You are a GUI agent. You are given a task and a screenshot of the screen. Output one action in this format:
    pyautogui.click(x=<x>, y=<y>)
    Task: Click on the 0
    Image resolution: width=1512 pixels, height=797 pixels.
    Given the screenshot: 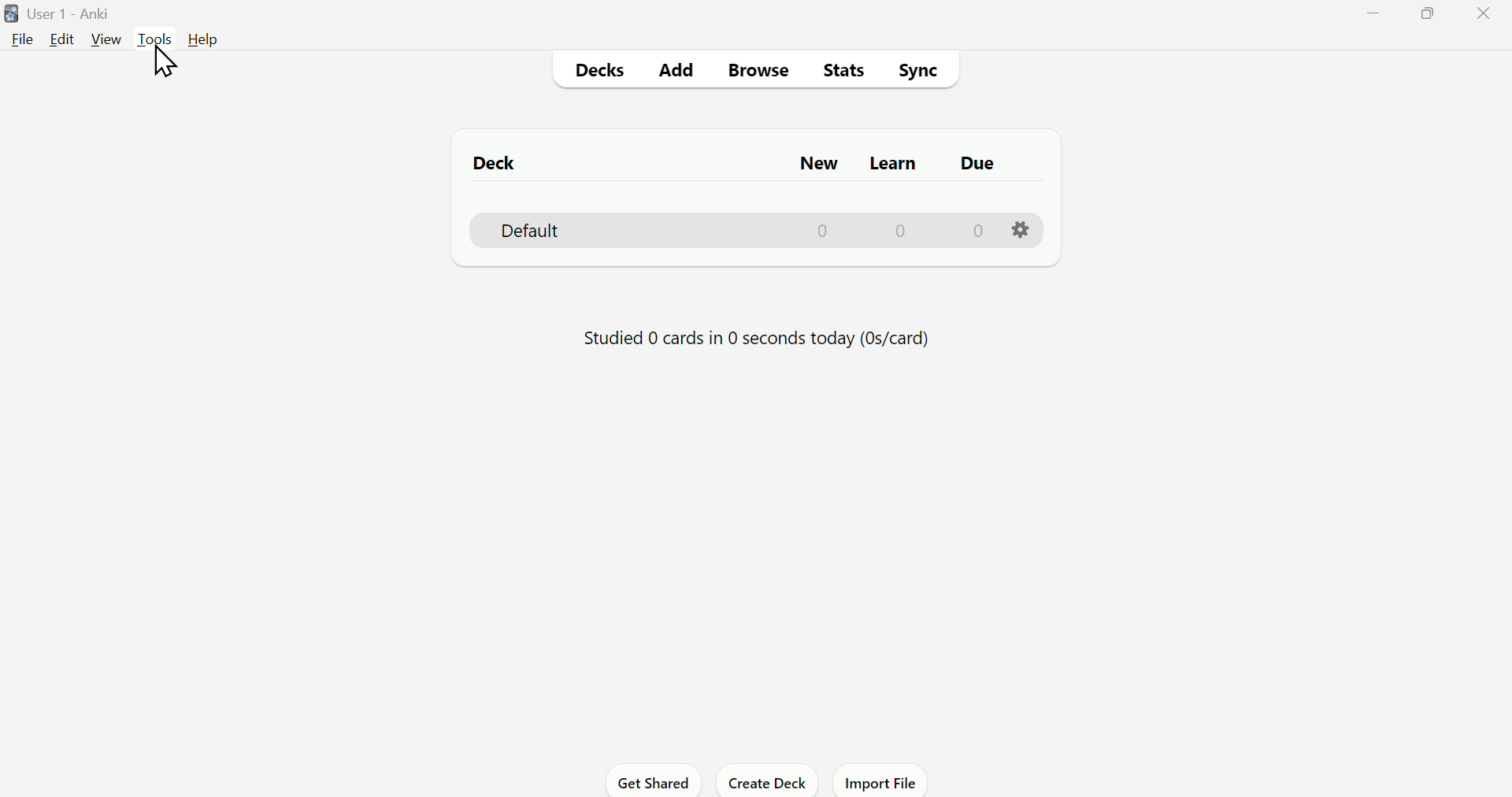 What is the action you would take?
    pyautogui.click(x=825, y=230)
    